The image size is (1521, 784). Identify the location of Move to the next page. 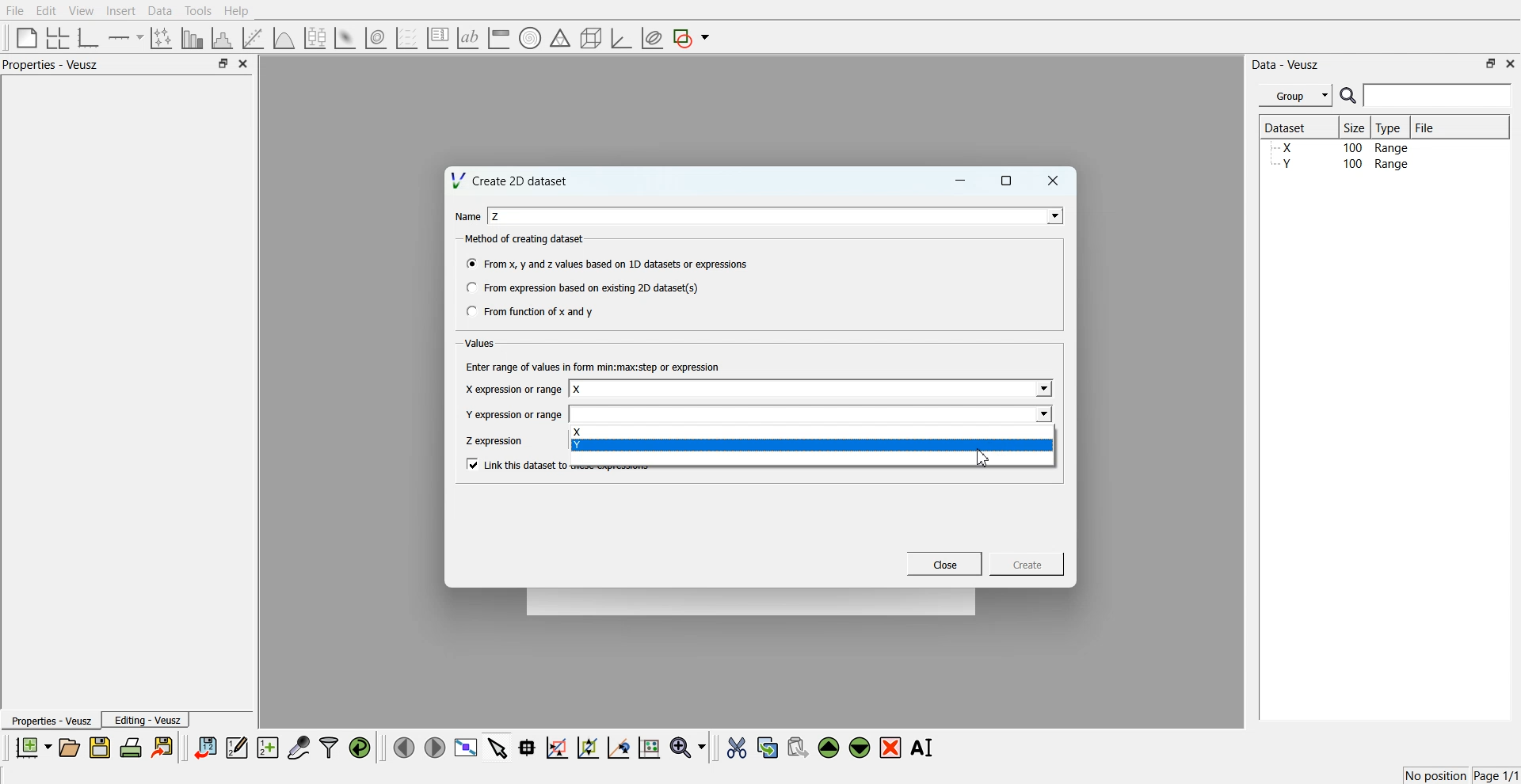
(435, 746).